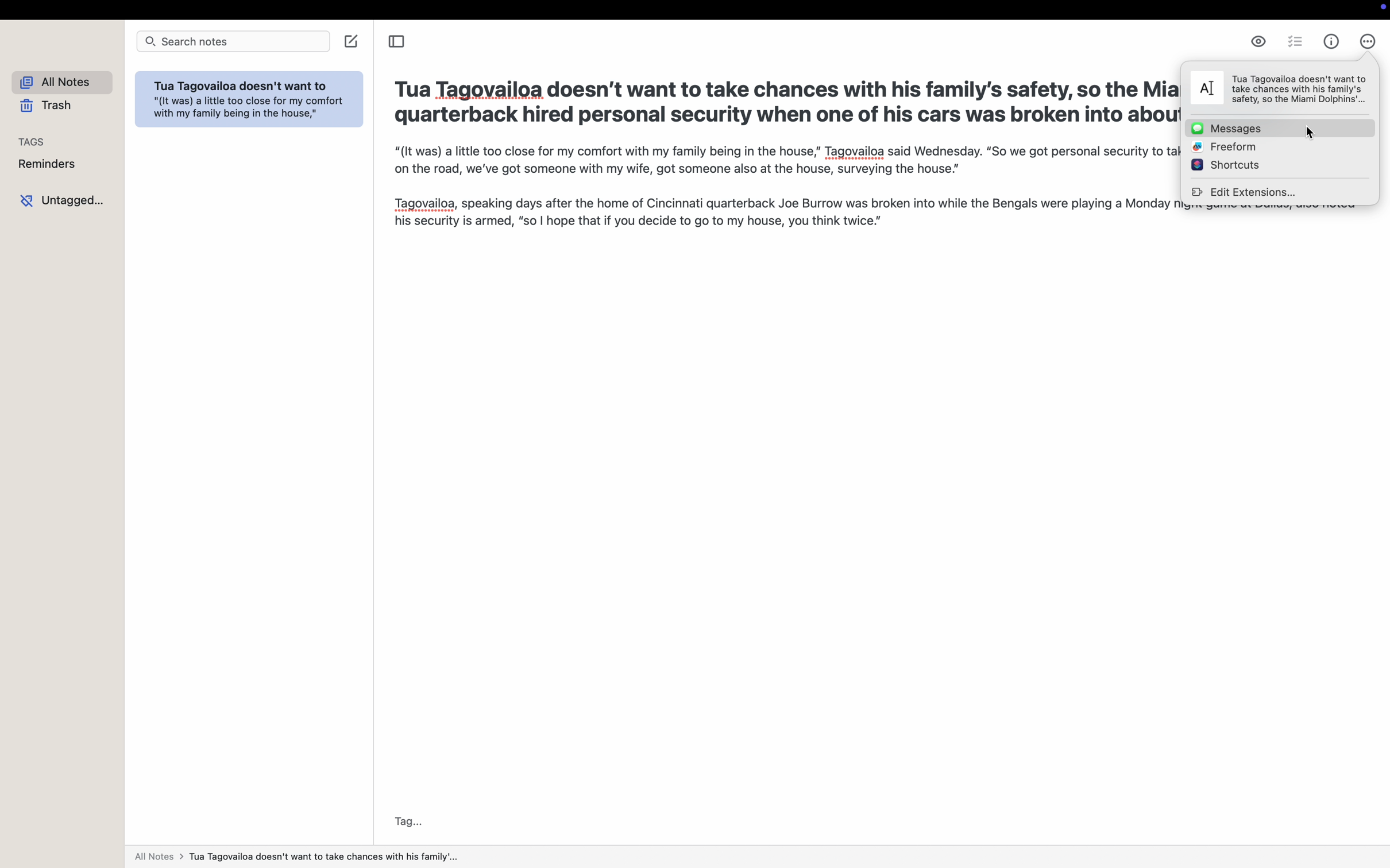 The image size is (1390, 868). What do you see at coordinates (1225, 164) in the screenshot?
I see `shortcuts` at bounding box center [1225, 164].